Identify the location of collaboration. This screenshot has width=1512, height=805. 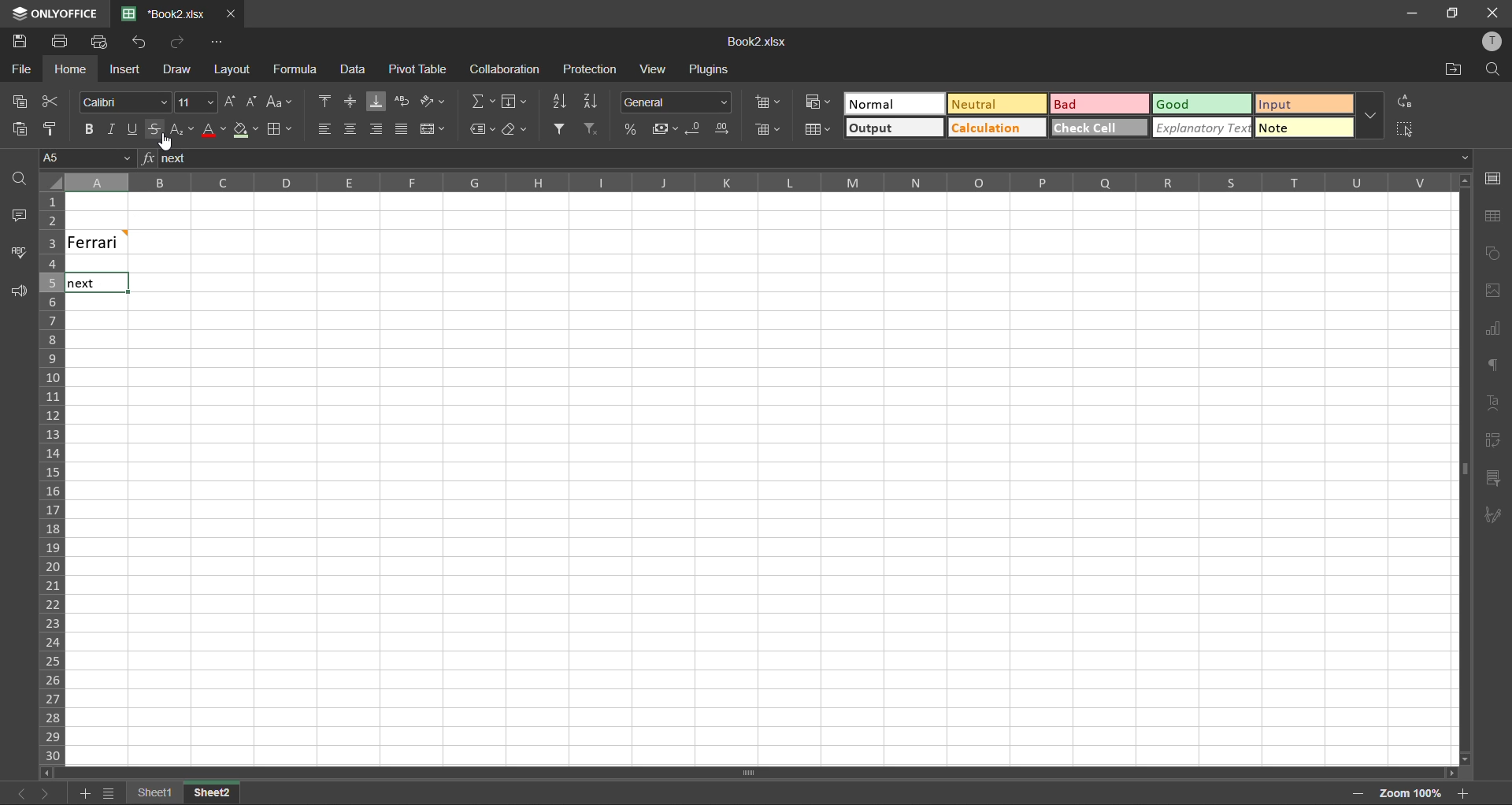
(505, 72).